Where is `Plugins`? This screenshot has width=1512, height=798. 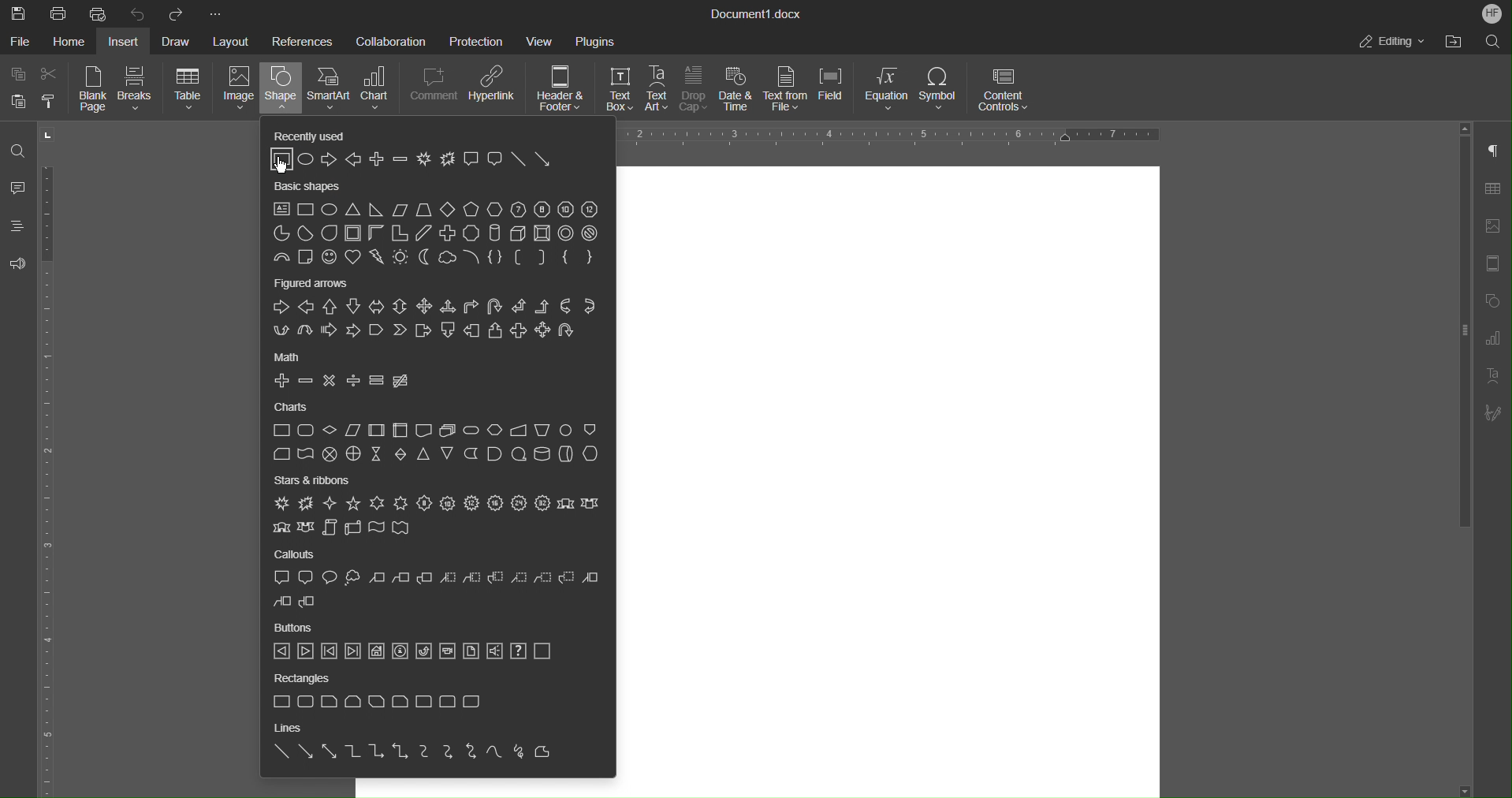 Plugins is located at coordinates (595, 40).